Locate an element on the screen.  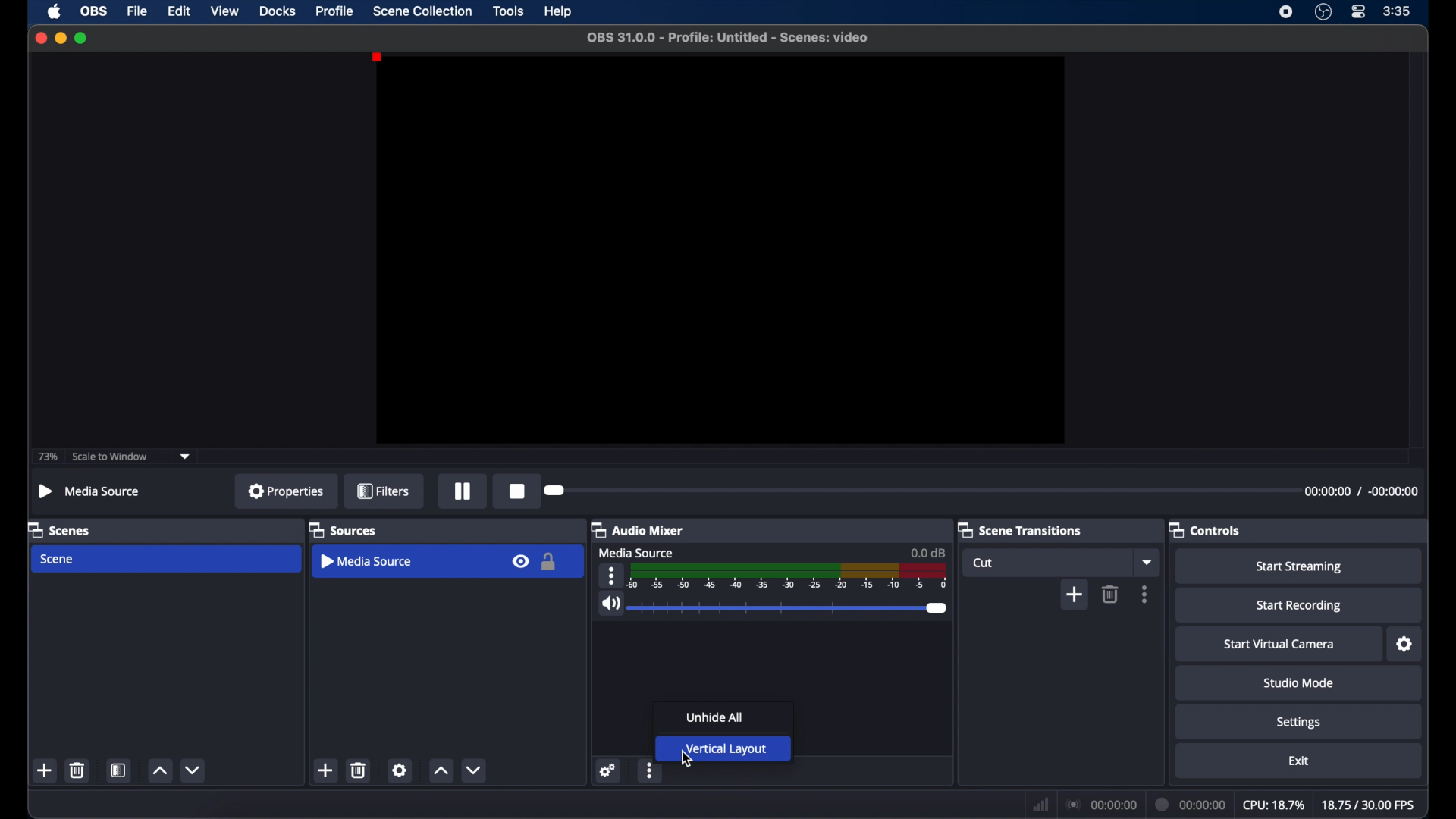
more options is located at coordinates (611, 576).